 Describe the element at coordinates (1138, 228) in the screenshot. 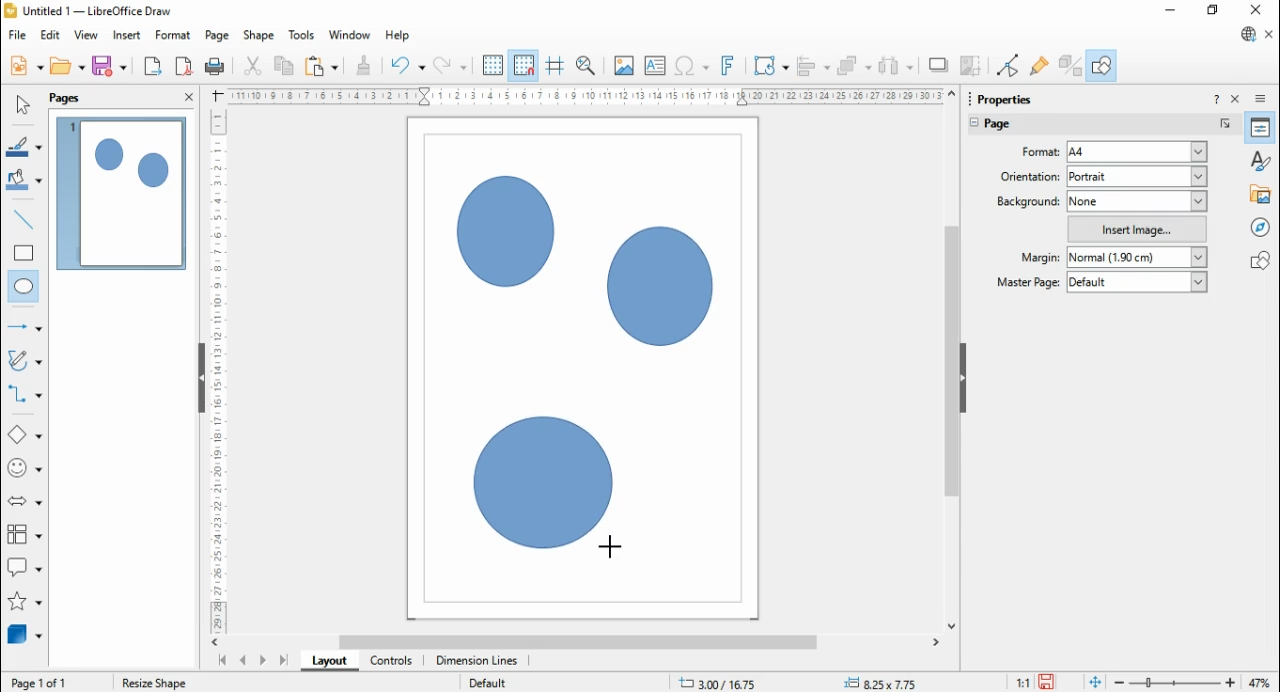

I see `insert image` at that location.